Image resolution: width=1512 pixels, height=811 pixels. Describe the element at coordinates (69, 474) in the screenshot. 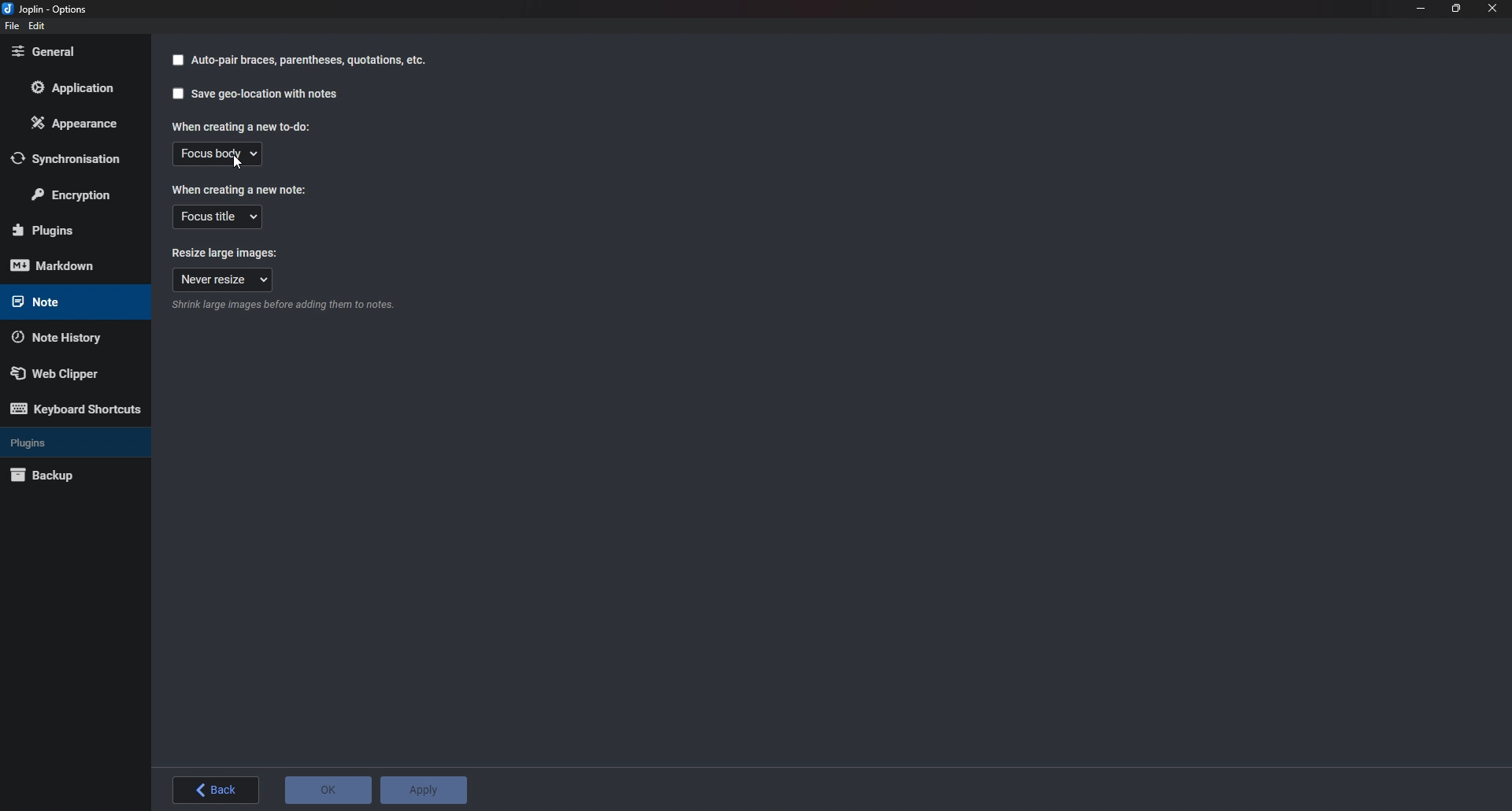

I see `Back up` at that location.